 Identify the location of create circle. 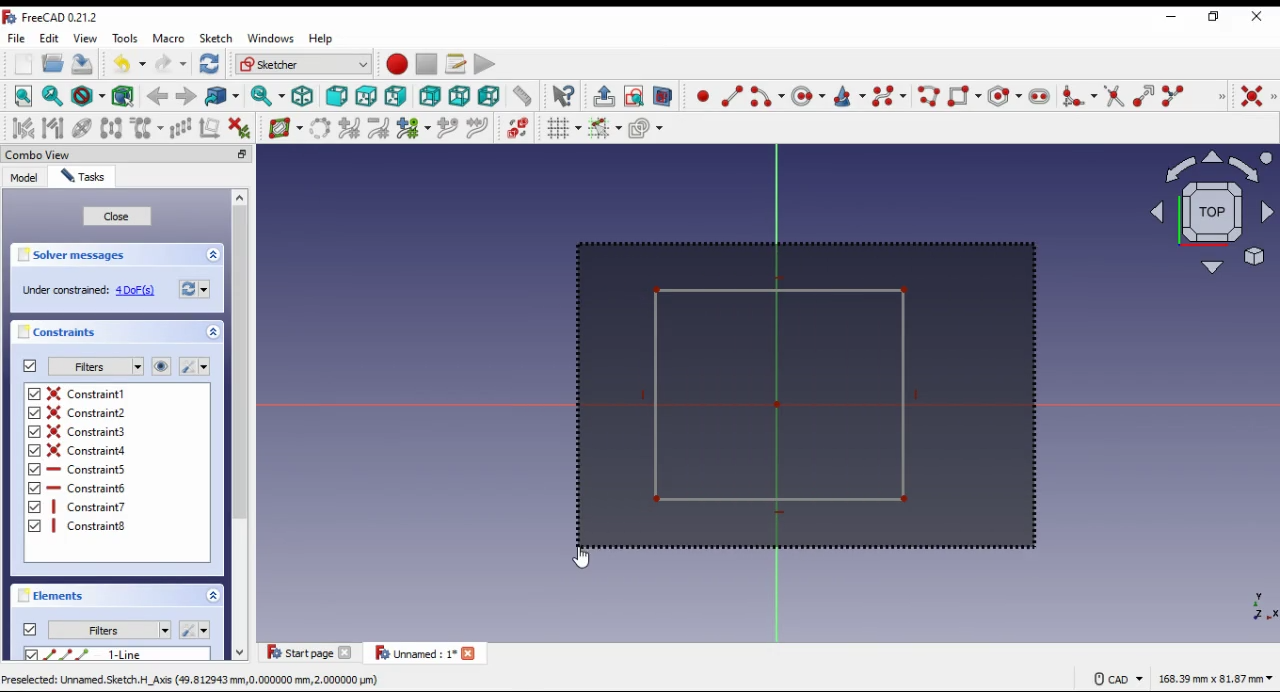
(808, 95).